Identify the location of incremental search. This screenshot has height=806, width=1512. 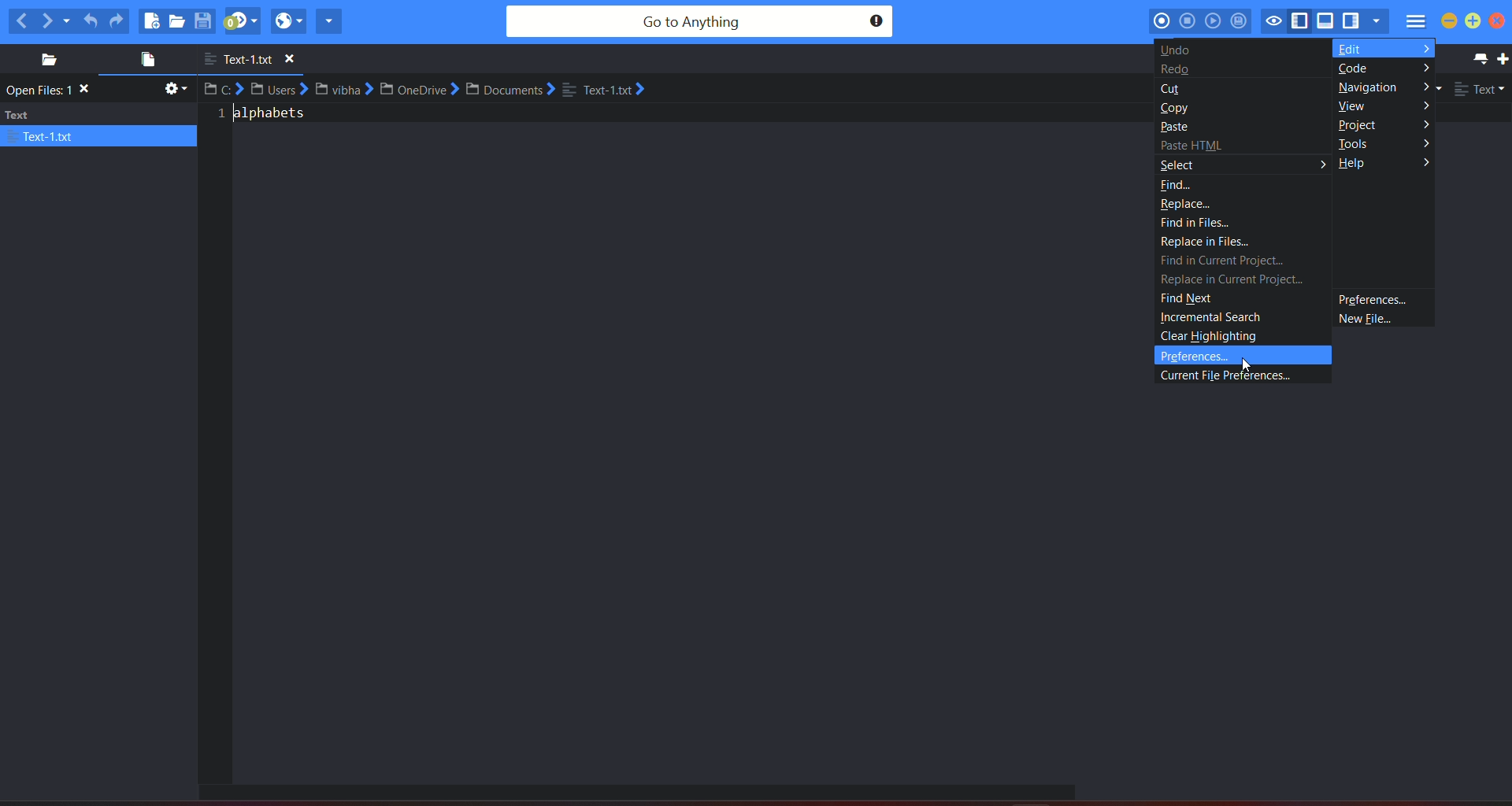
(1213, 316).